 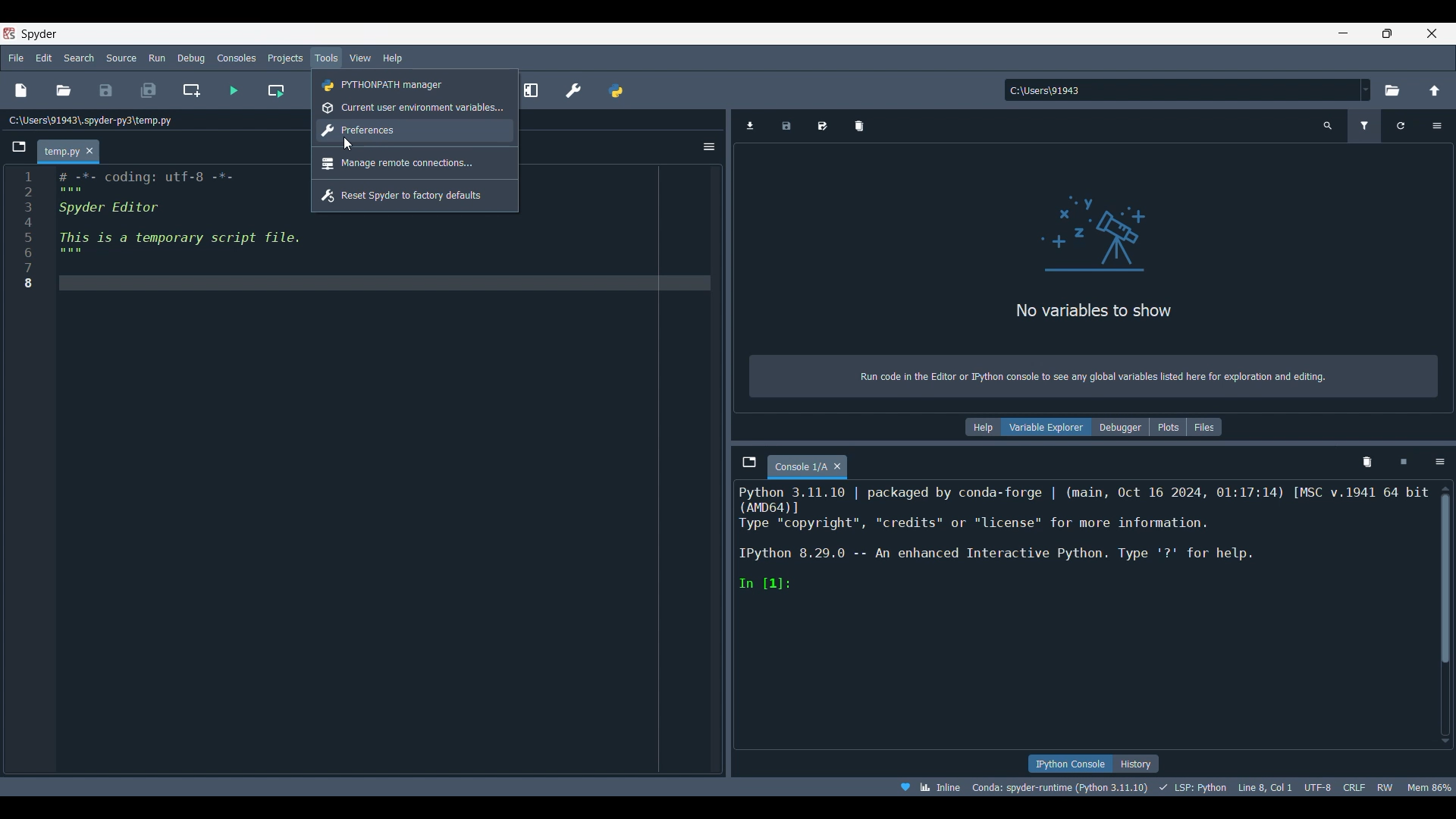 What do you see at coordinates (1445, 585) in the screenshot?
I see `scrollbar` at bounding box center [1445, 585].